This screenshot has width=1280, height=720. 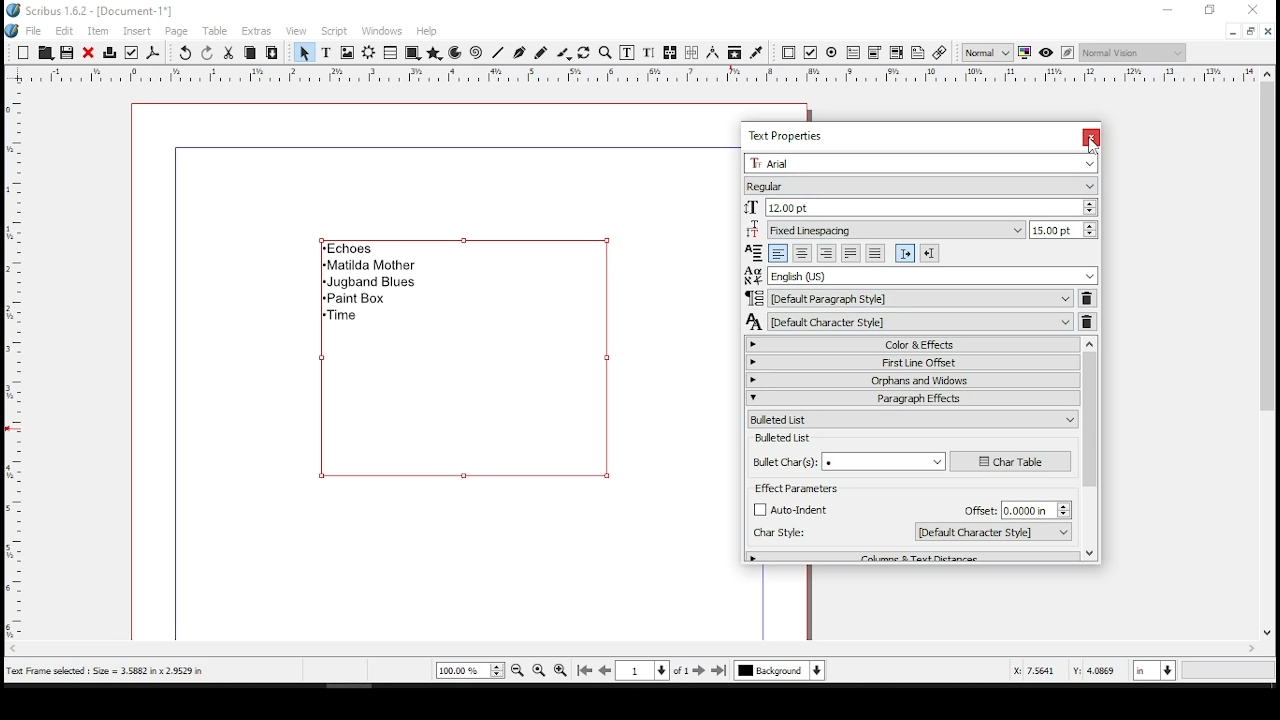 I want to click on left to right paragraph, so click(x=906, y=253).